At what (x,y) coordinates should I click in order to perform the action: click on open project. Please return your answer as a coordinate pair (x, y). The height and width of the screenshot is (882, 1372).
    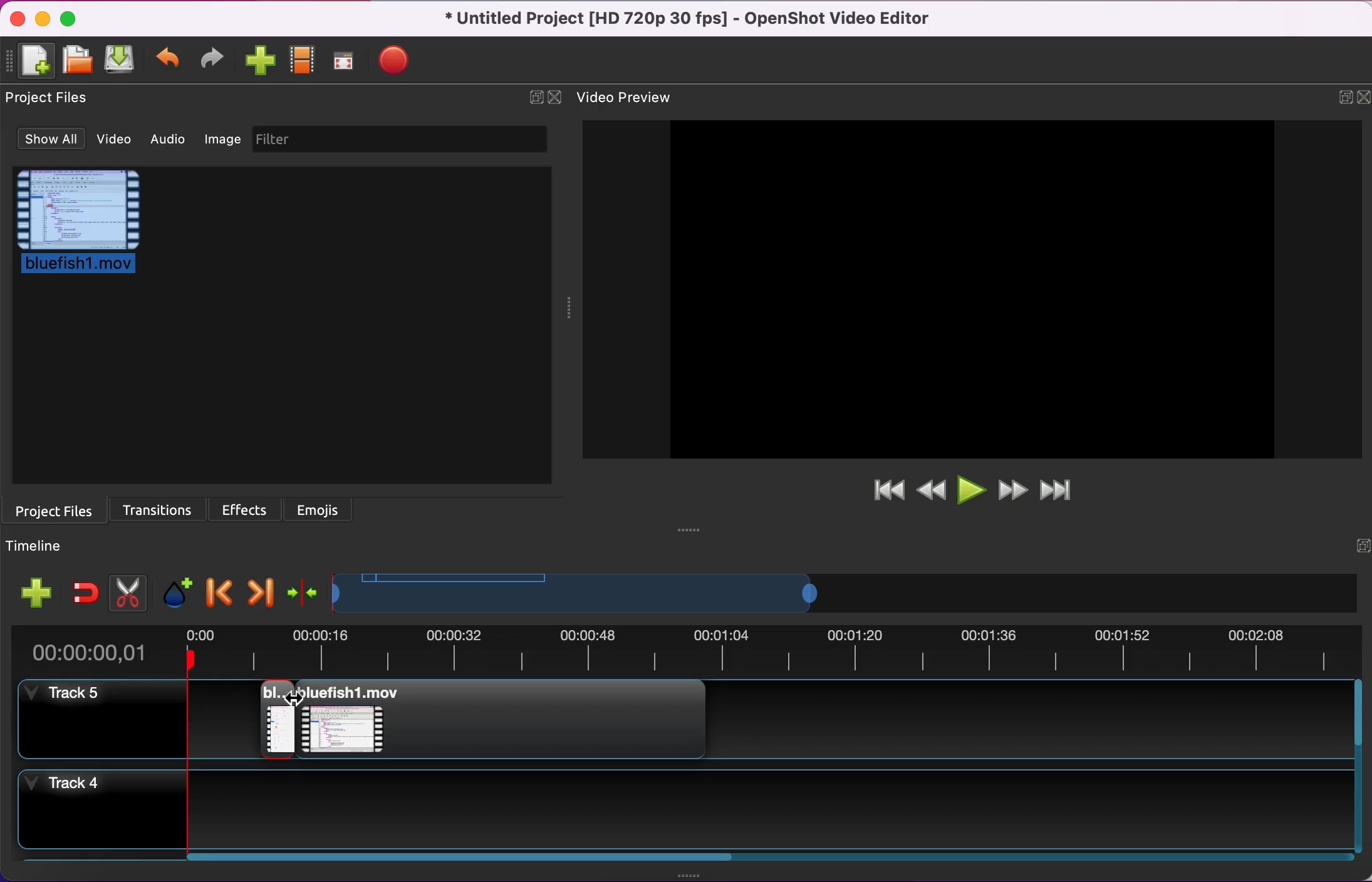
    Looking at the image, I should click on (79, 61).